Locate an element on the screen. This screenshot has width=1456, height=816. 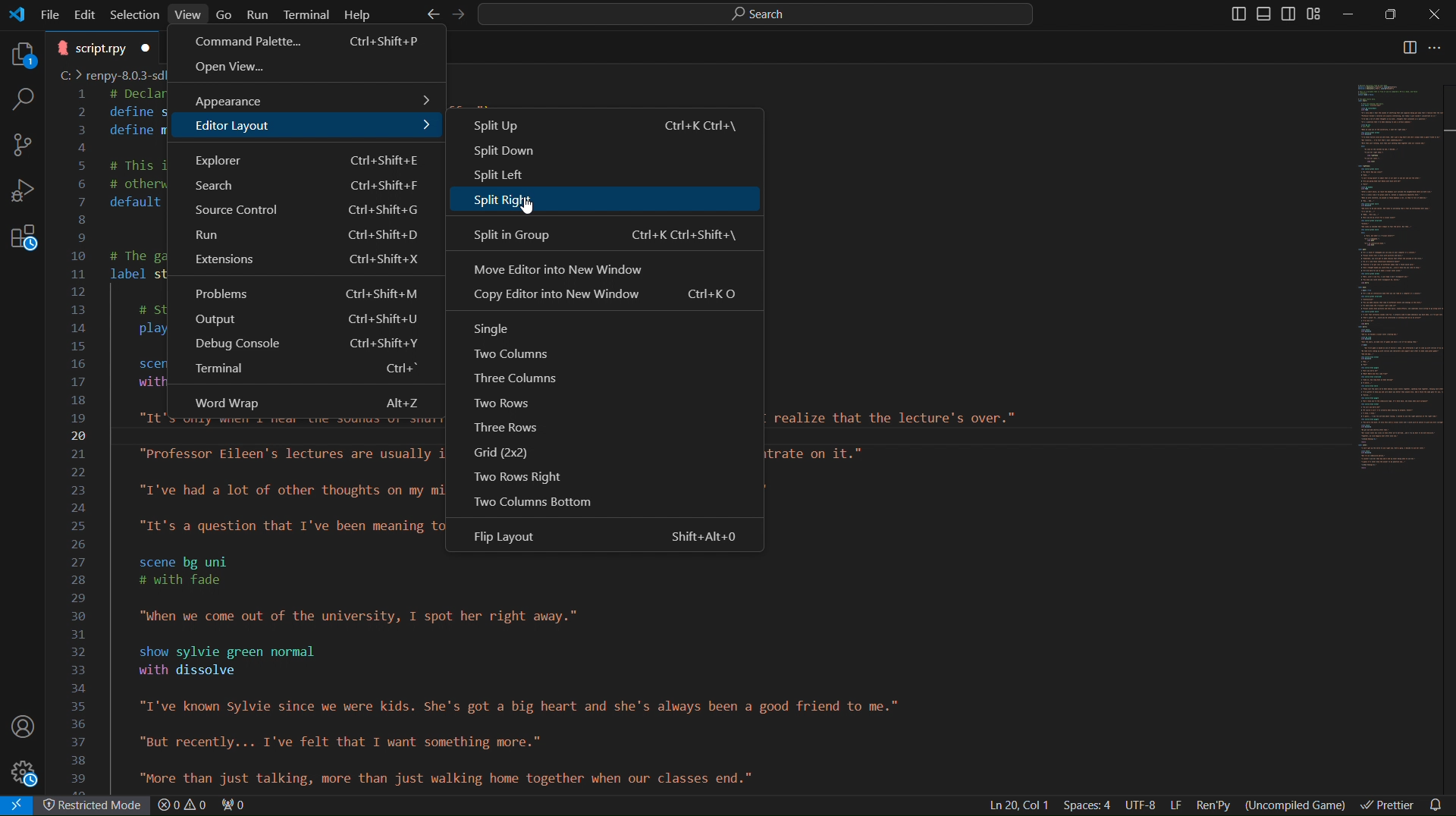
Ren'Py is located at coordinates (1216, 804).